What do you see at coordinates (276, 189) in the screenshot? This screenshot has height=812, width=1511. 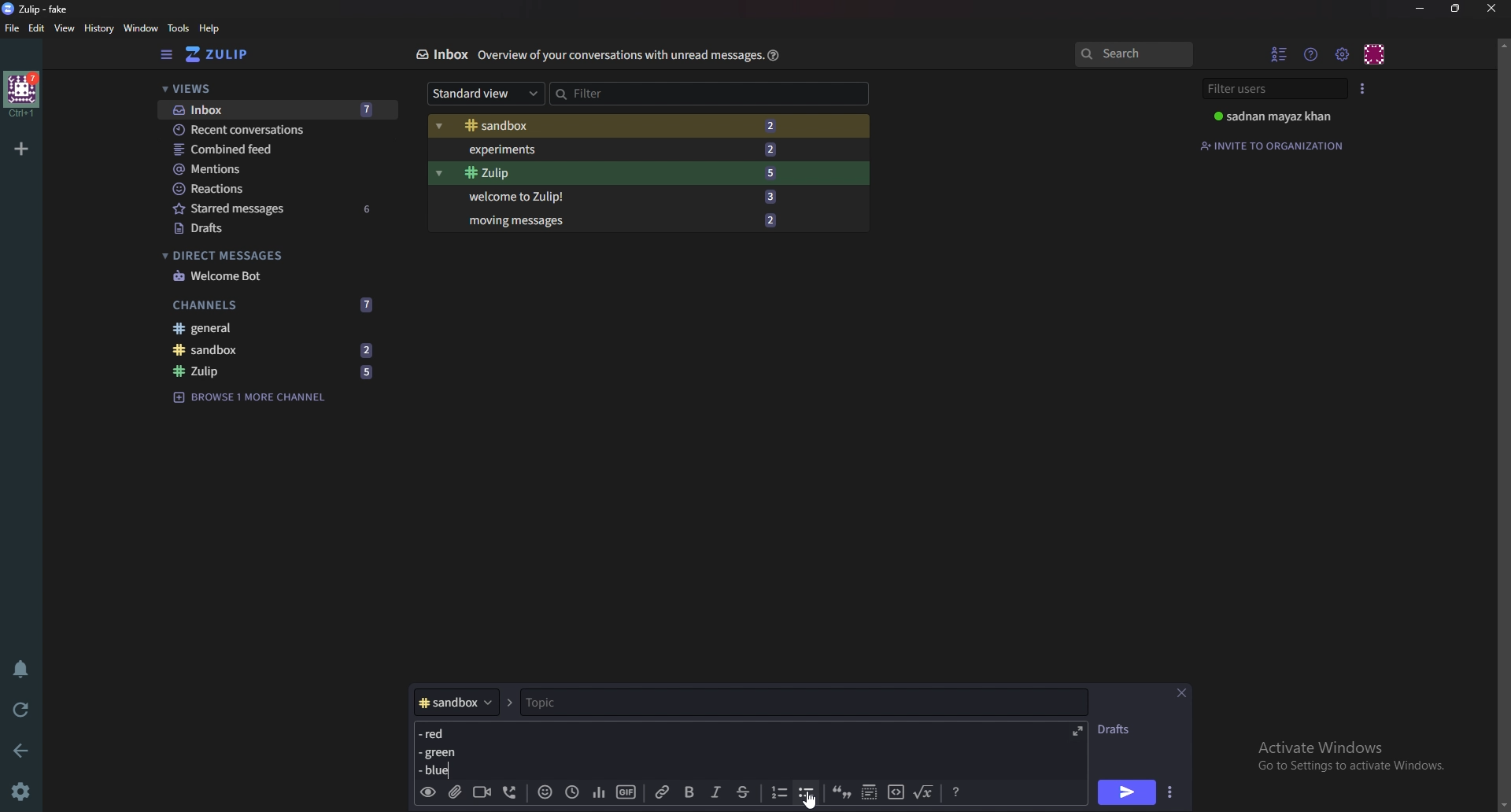 I see `Reactions` at bounding box center [276, 189].